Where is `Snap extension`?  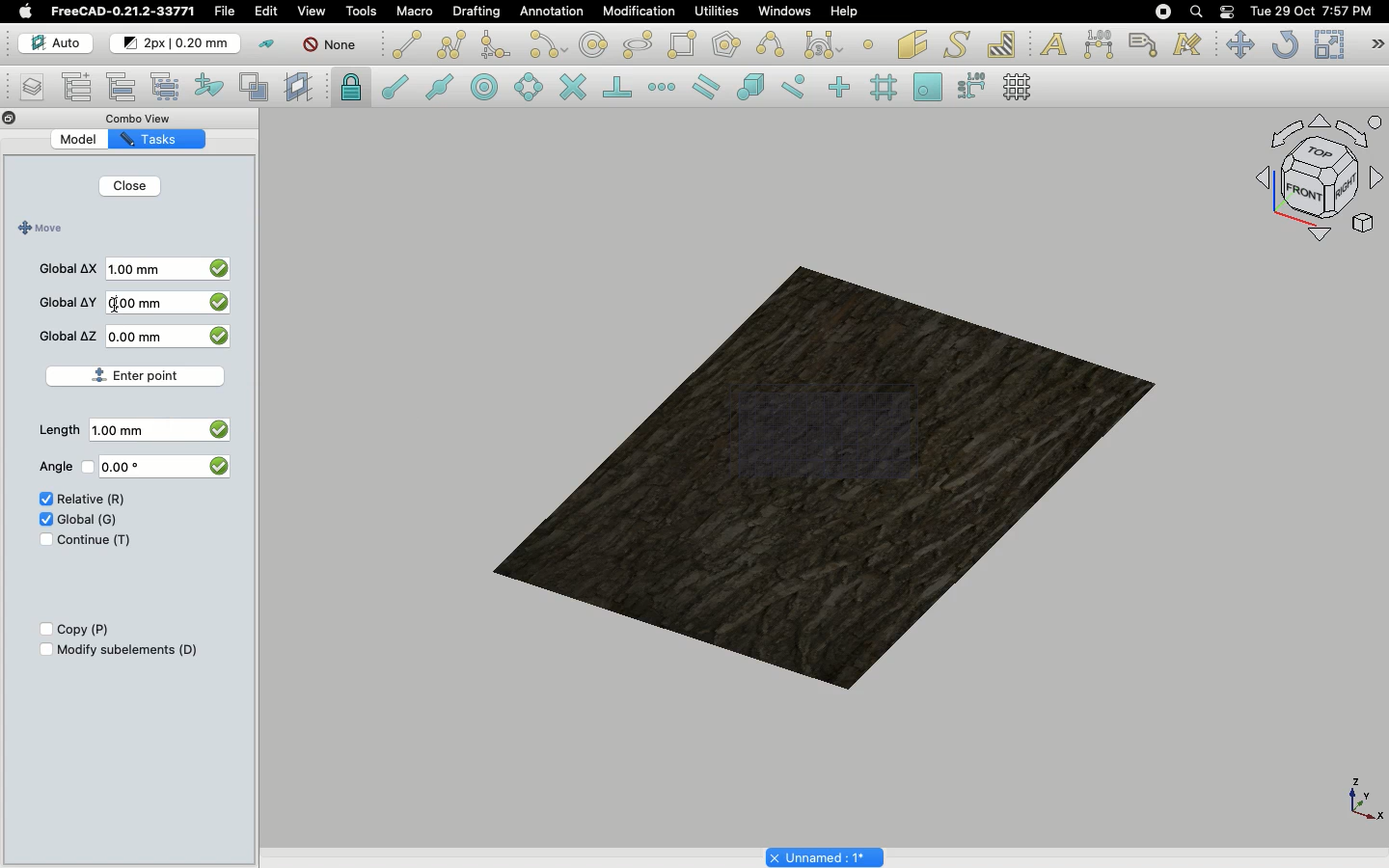
Snap extension is located at coordinates (664, 88).